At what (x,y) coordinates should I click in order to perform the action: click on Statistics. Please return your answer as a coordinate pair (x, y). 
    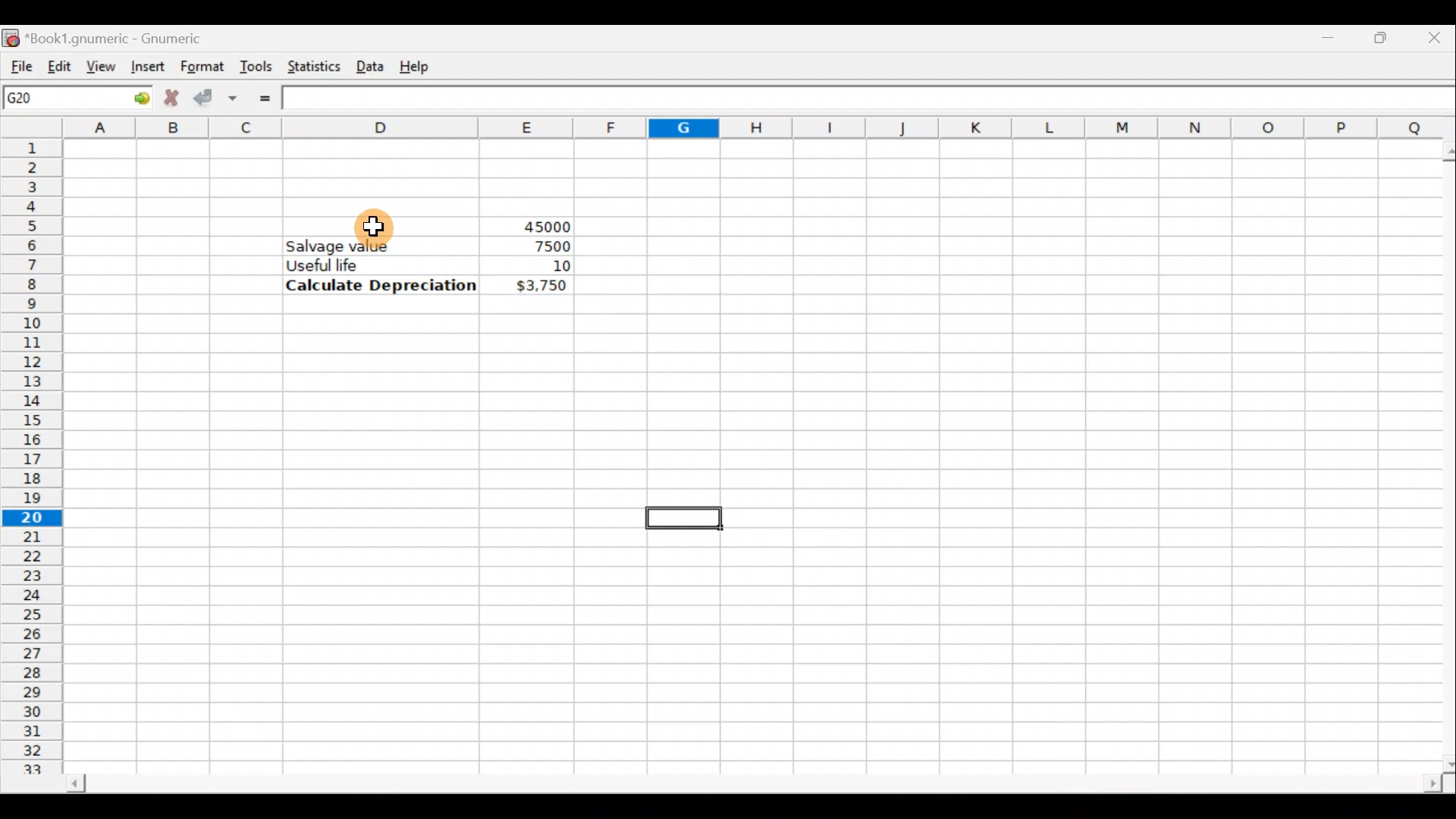
    Looking at the image, I should click on (310, 65).